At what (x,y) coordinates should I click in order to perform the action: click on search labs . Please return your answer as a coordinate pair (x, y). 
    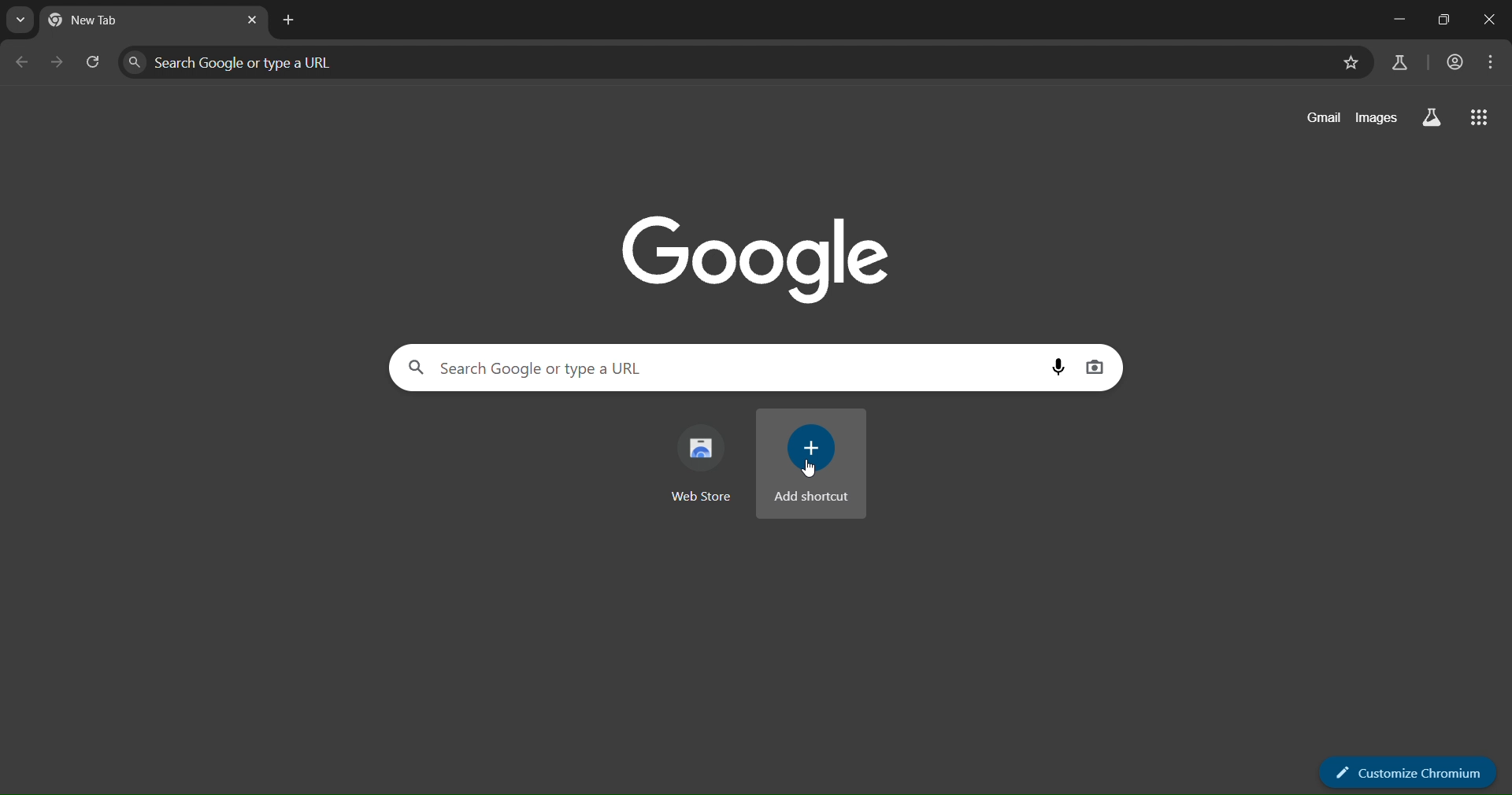
    Looking at the image, I should click on (1428, 117).